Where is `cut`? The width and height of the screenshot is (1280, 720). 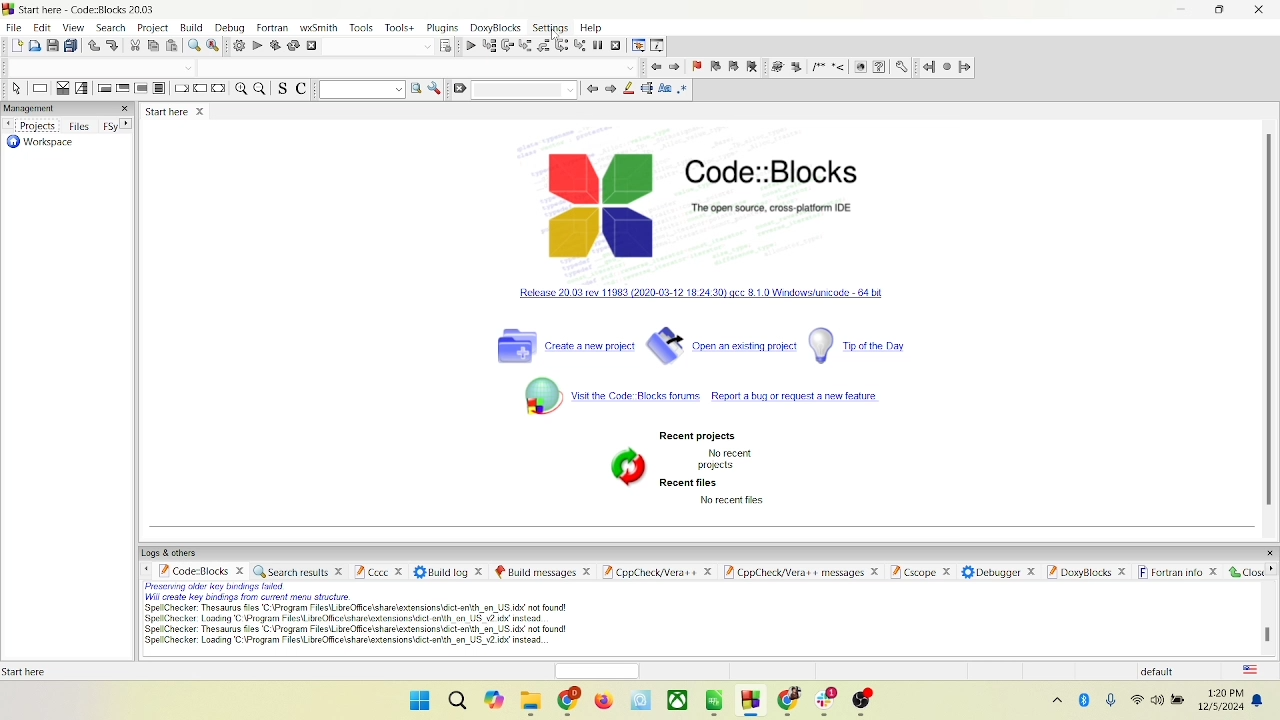
cut is located at coordinates (135, 45).